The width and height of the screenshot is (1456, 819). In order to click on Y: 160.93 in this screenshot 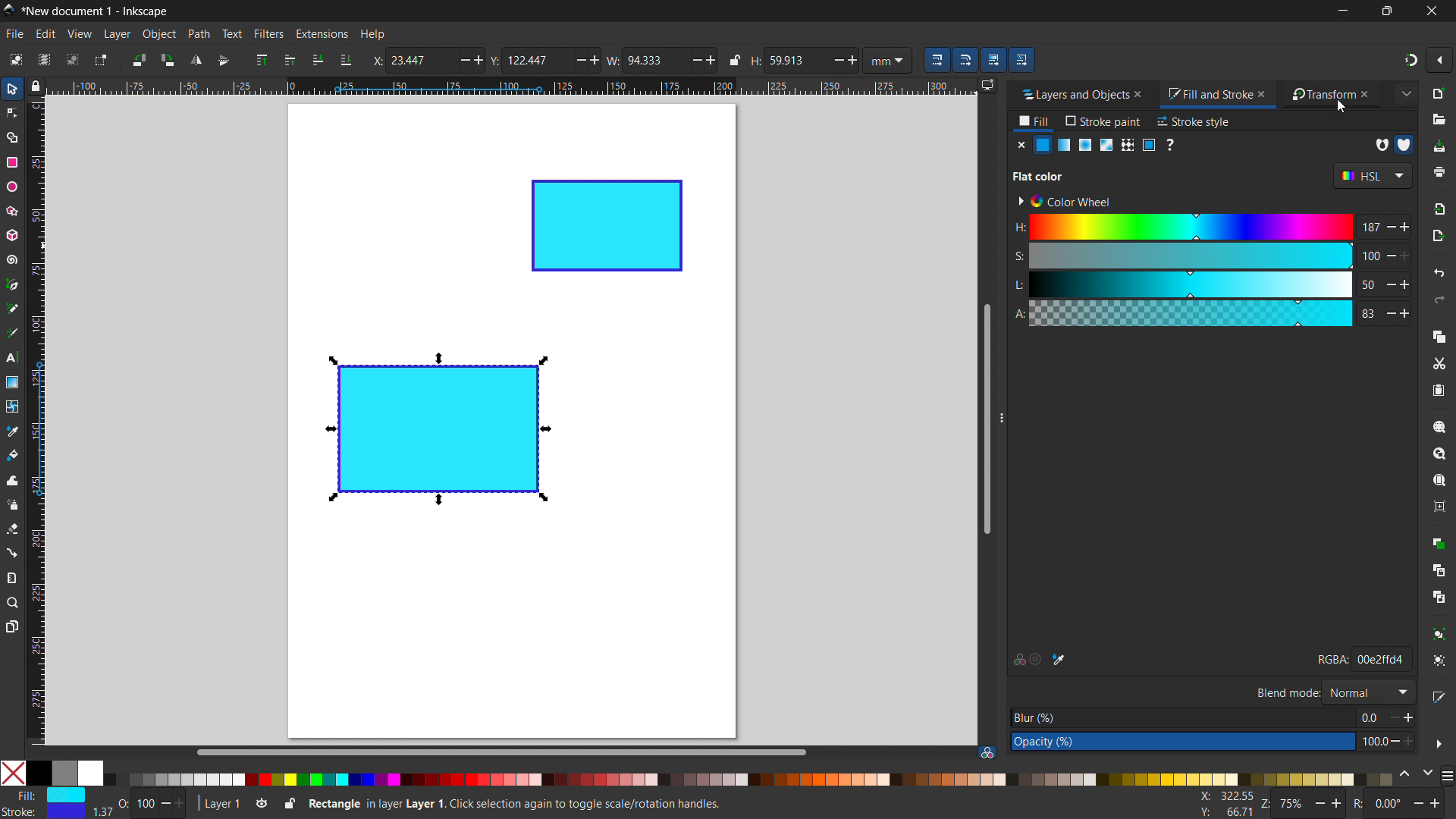, I will do `click(1221, 813)`.